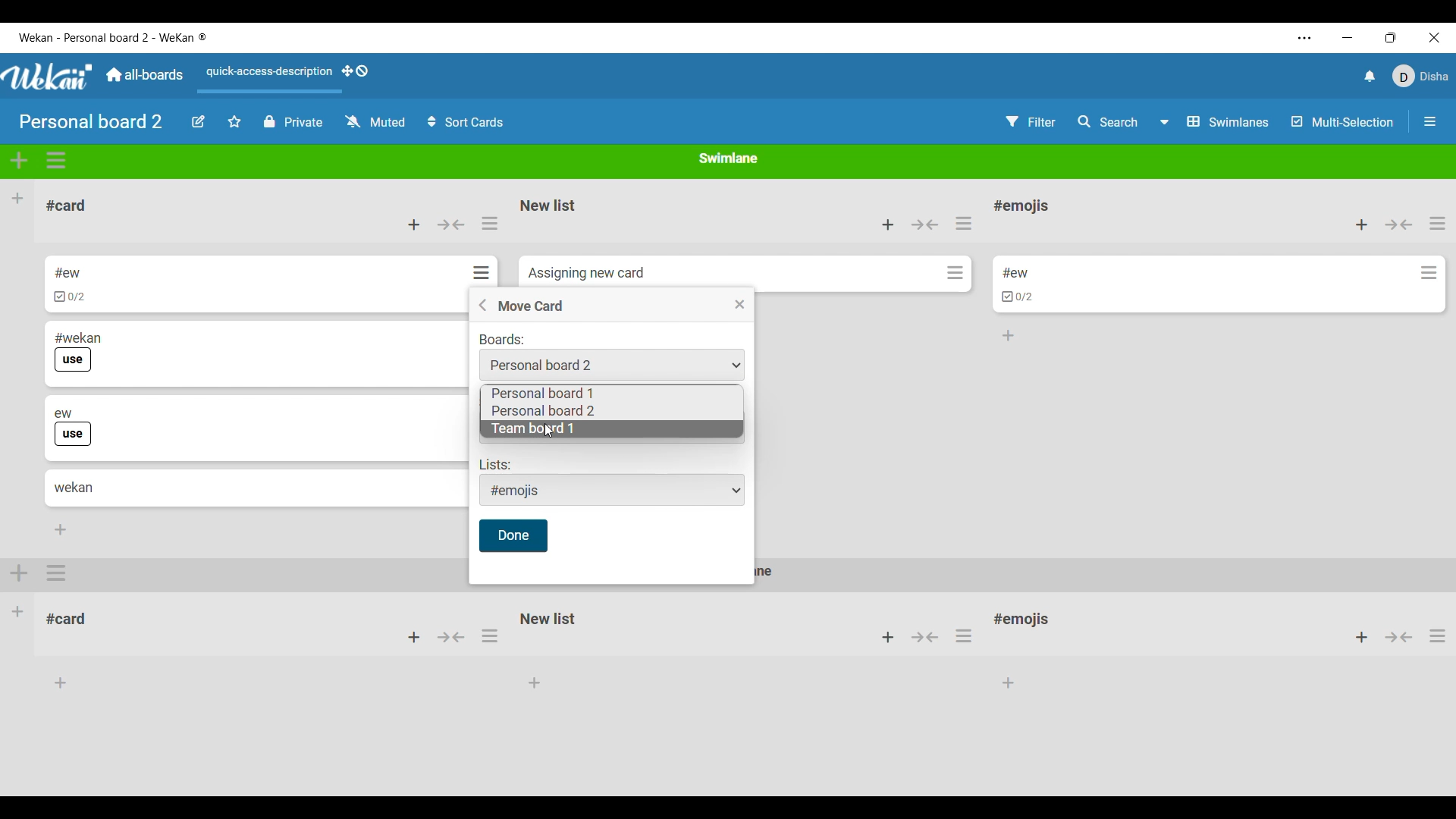  I want to click on button, so click(453, 641).